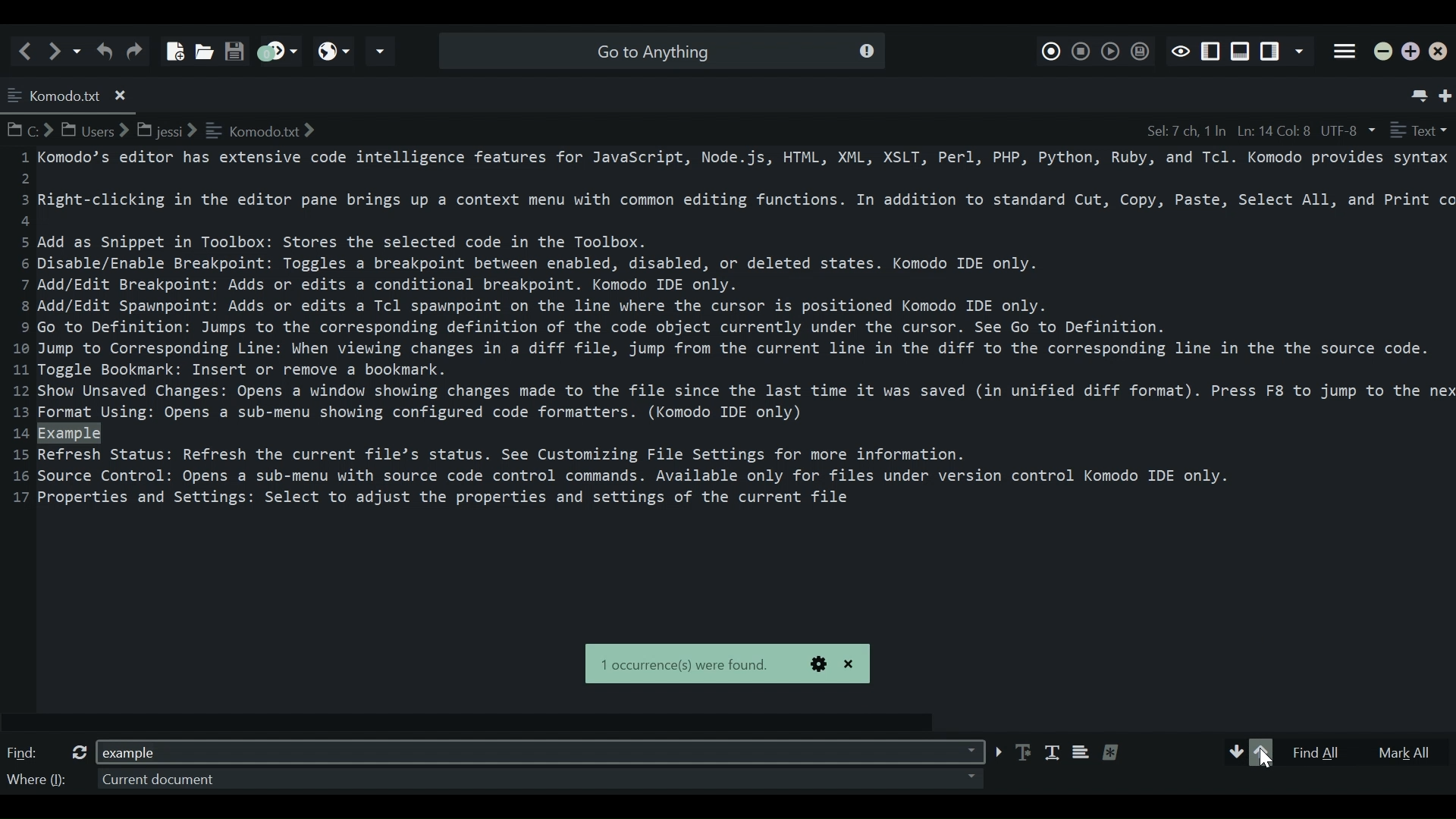 Image resolution: width=1456 pixels, height=819 pixels. Describe the element at coordinates (536, 779) in the screenshot. I see `Where Dropdown menu` at that location.